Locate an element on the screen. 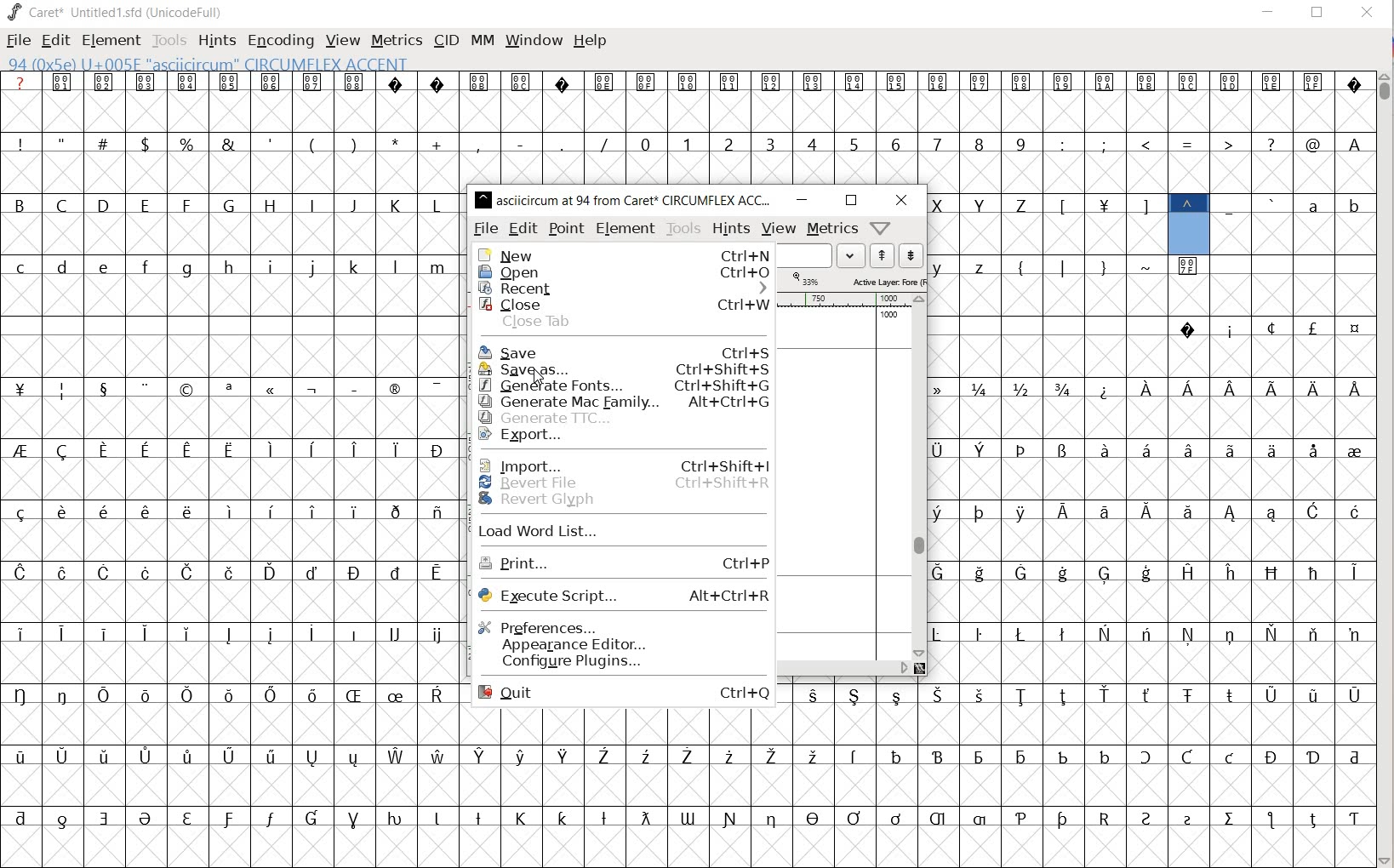  glyph characters is located at coordinates (1151, 470).